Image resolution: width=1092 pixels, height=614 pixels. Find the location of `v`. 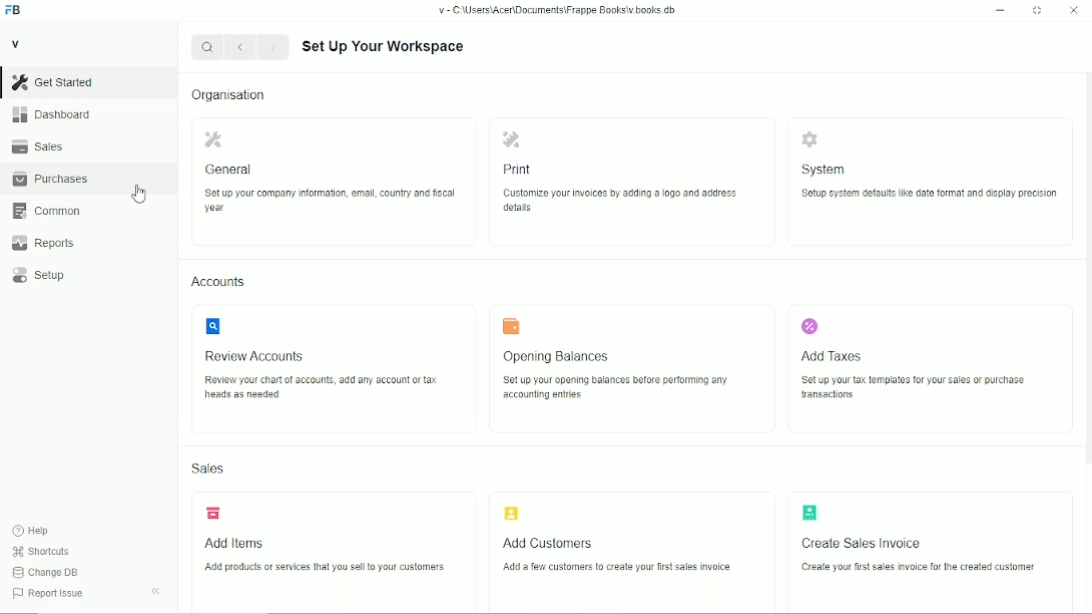

v is located at coordinates (17, 43).